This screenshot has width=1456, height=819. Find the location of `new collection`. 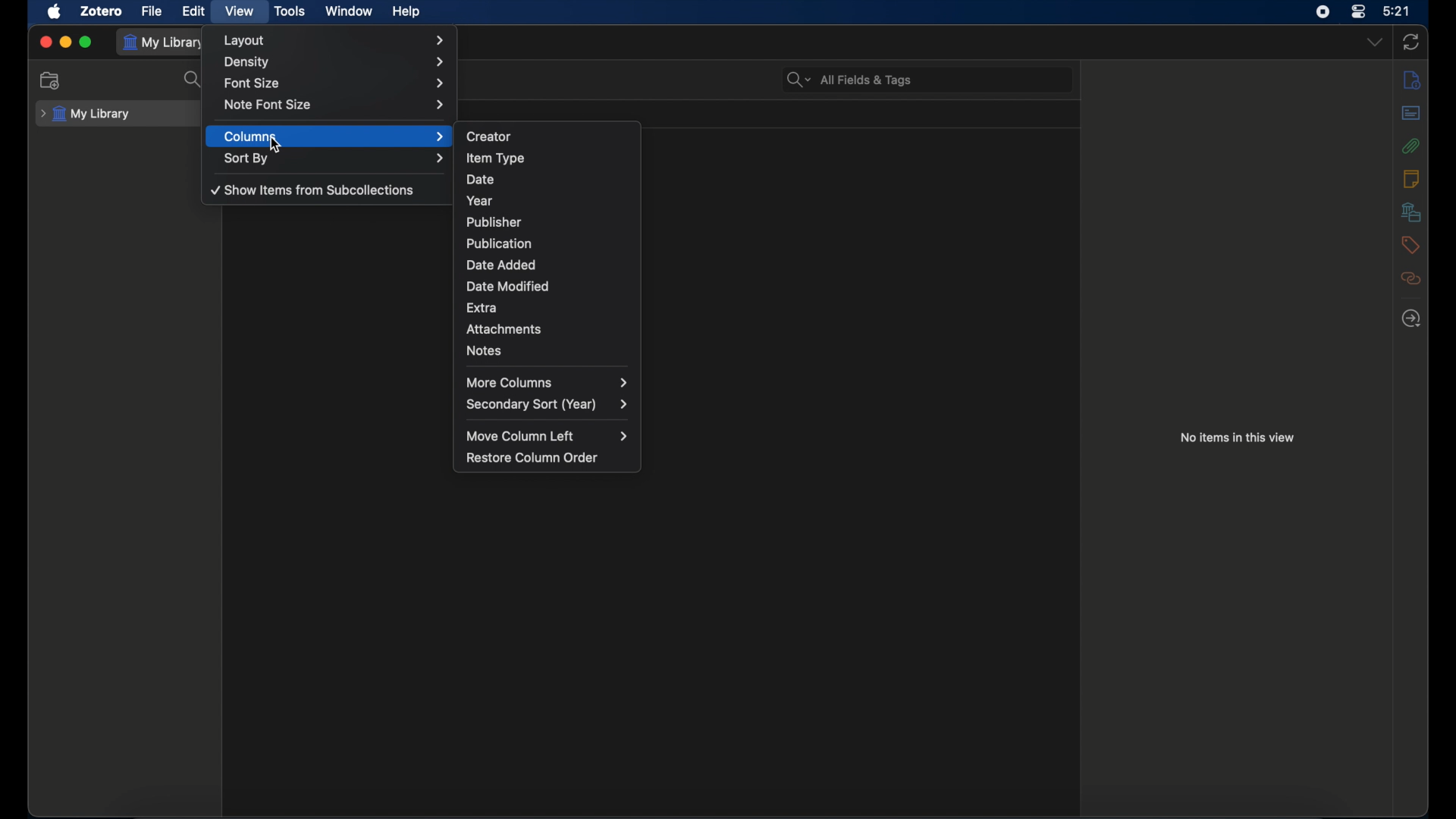

new collection is located at coordinates (51, 80).